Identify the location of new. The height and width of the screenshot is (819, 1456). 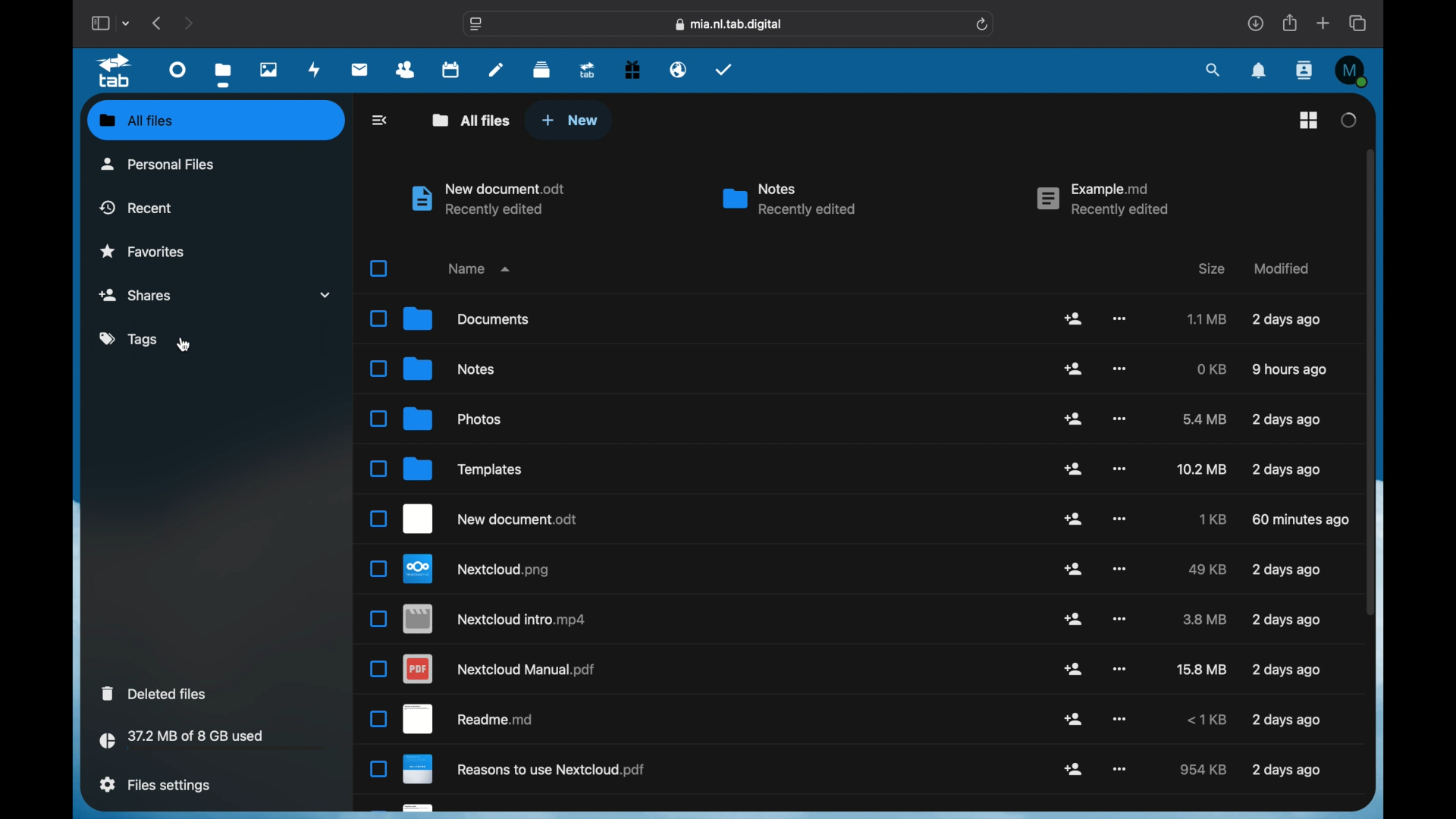
(570, 120).